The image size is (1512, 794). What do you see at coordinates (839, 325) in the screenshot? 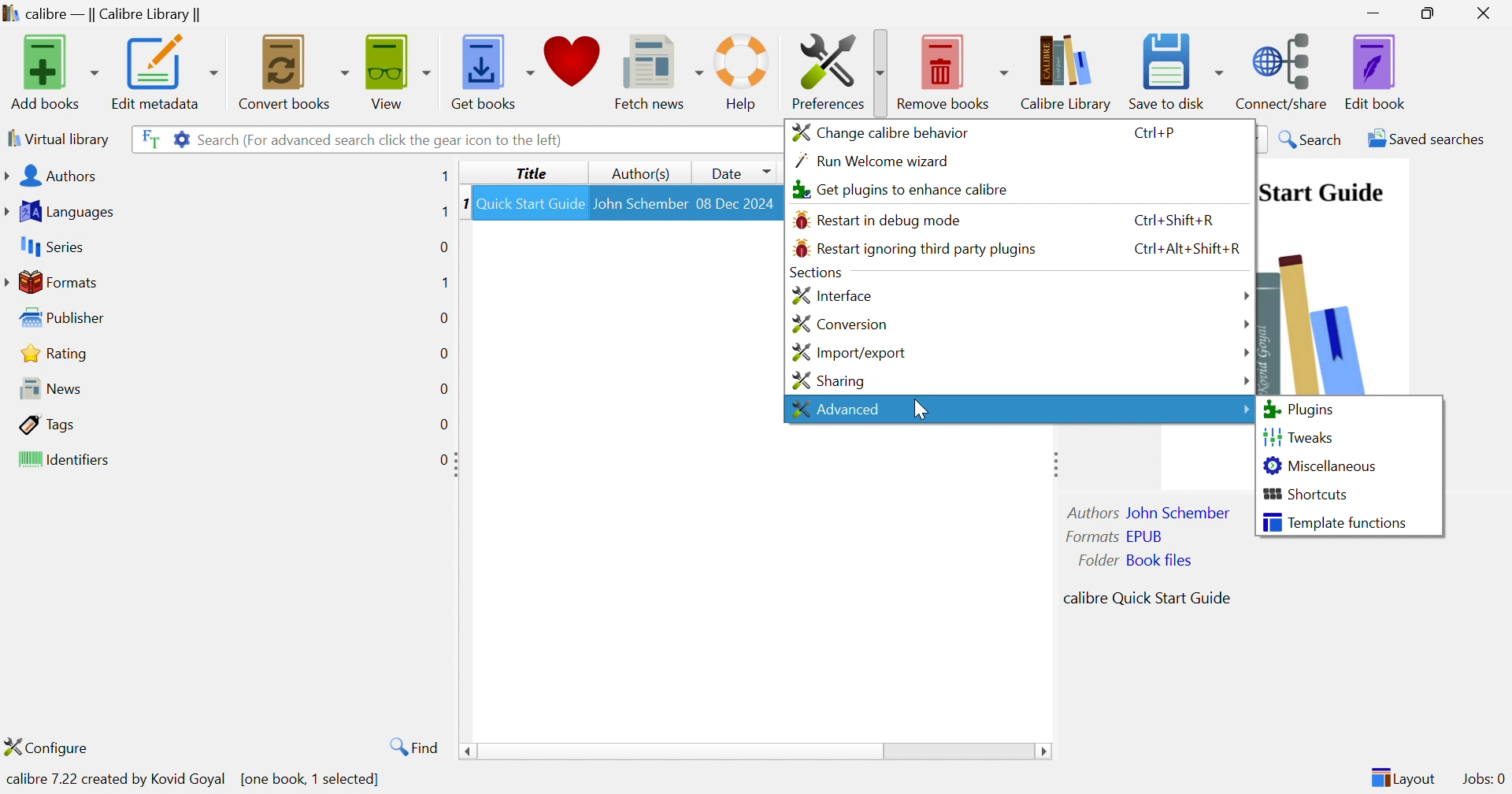
I see `Conversion` at bounding box center [839, 325].